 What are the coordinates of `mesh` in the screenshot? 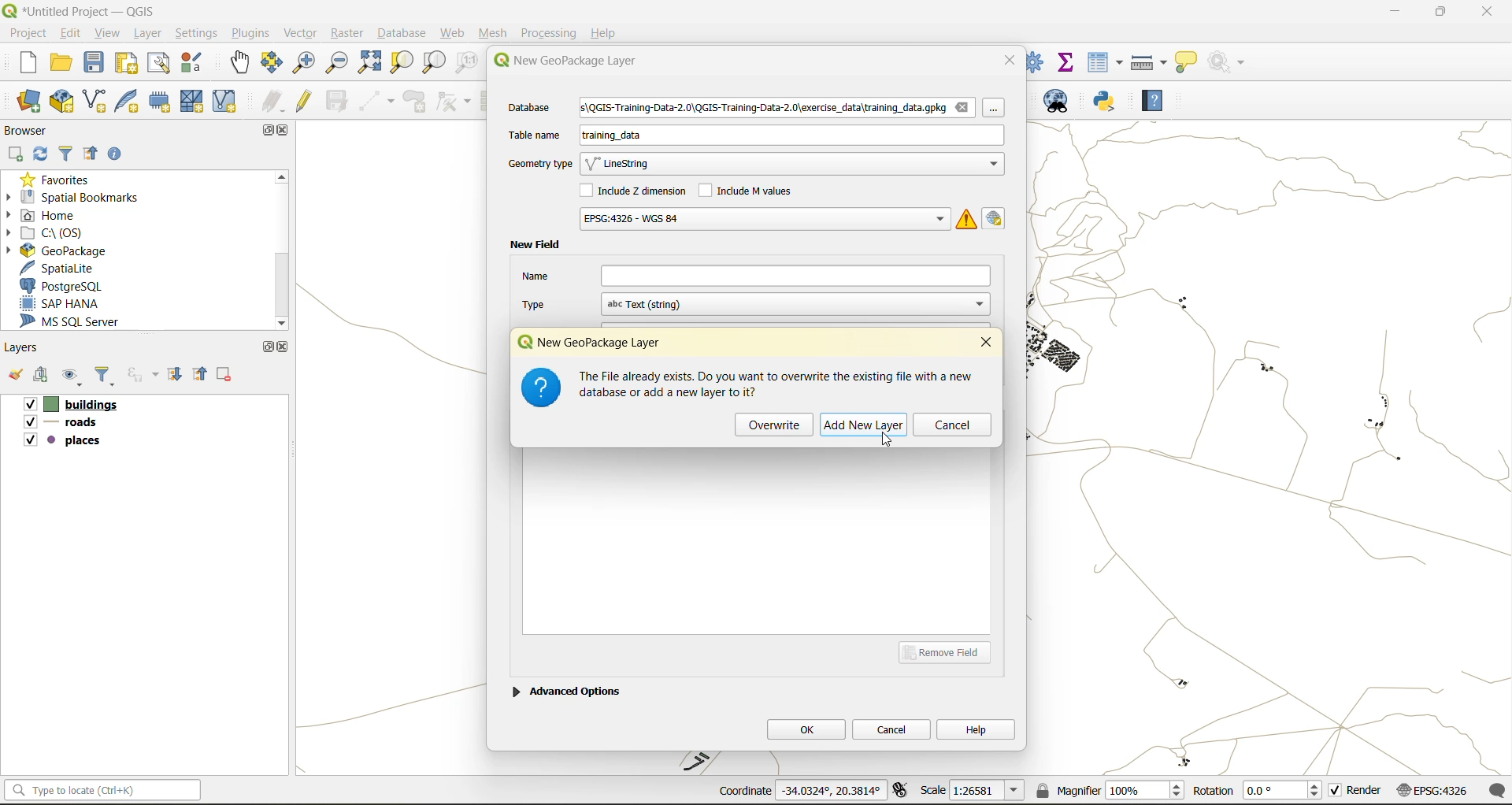 It's located at (495, 33).